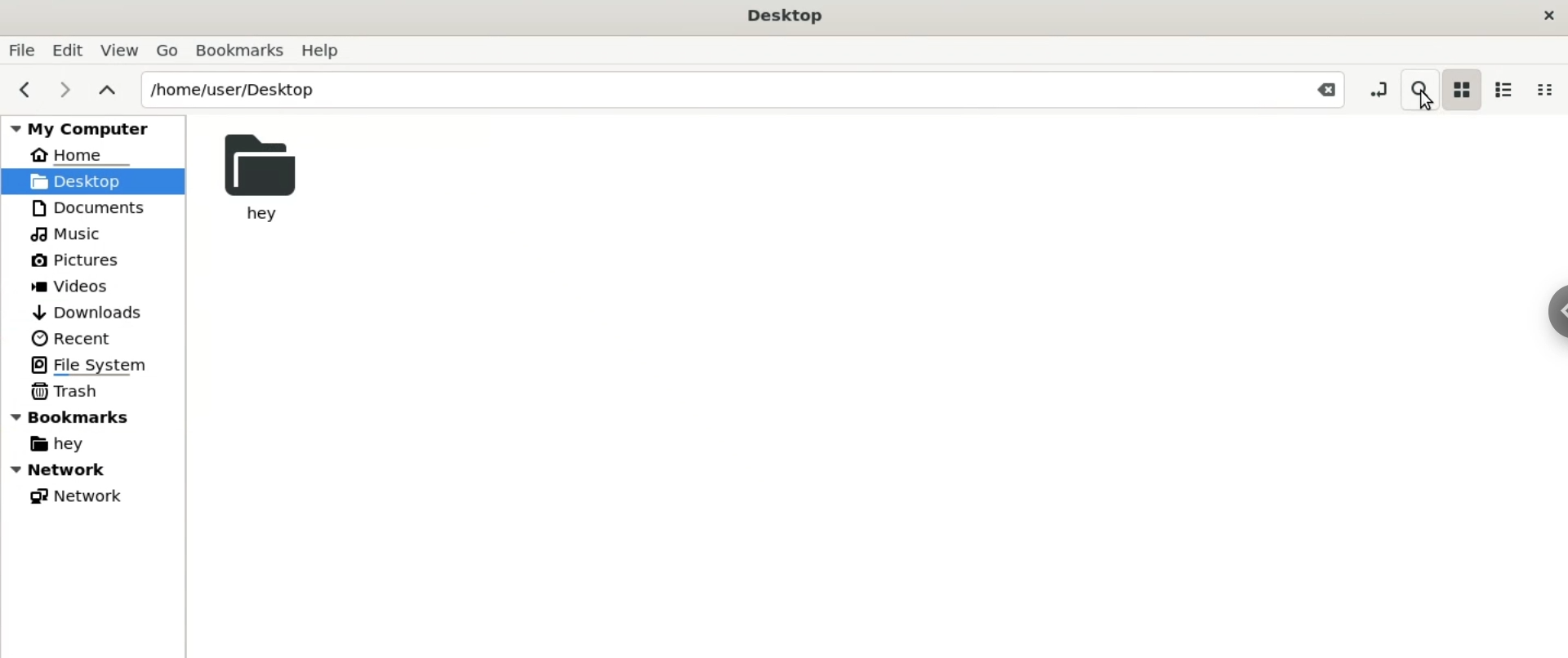 The height and width of the screenshot is (658, 1568). Describe the element at coordinates (119, 47) in the screenshot. I see `View` at that location.